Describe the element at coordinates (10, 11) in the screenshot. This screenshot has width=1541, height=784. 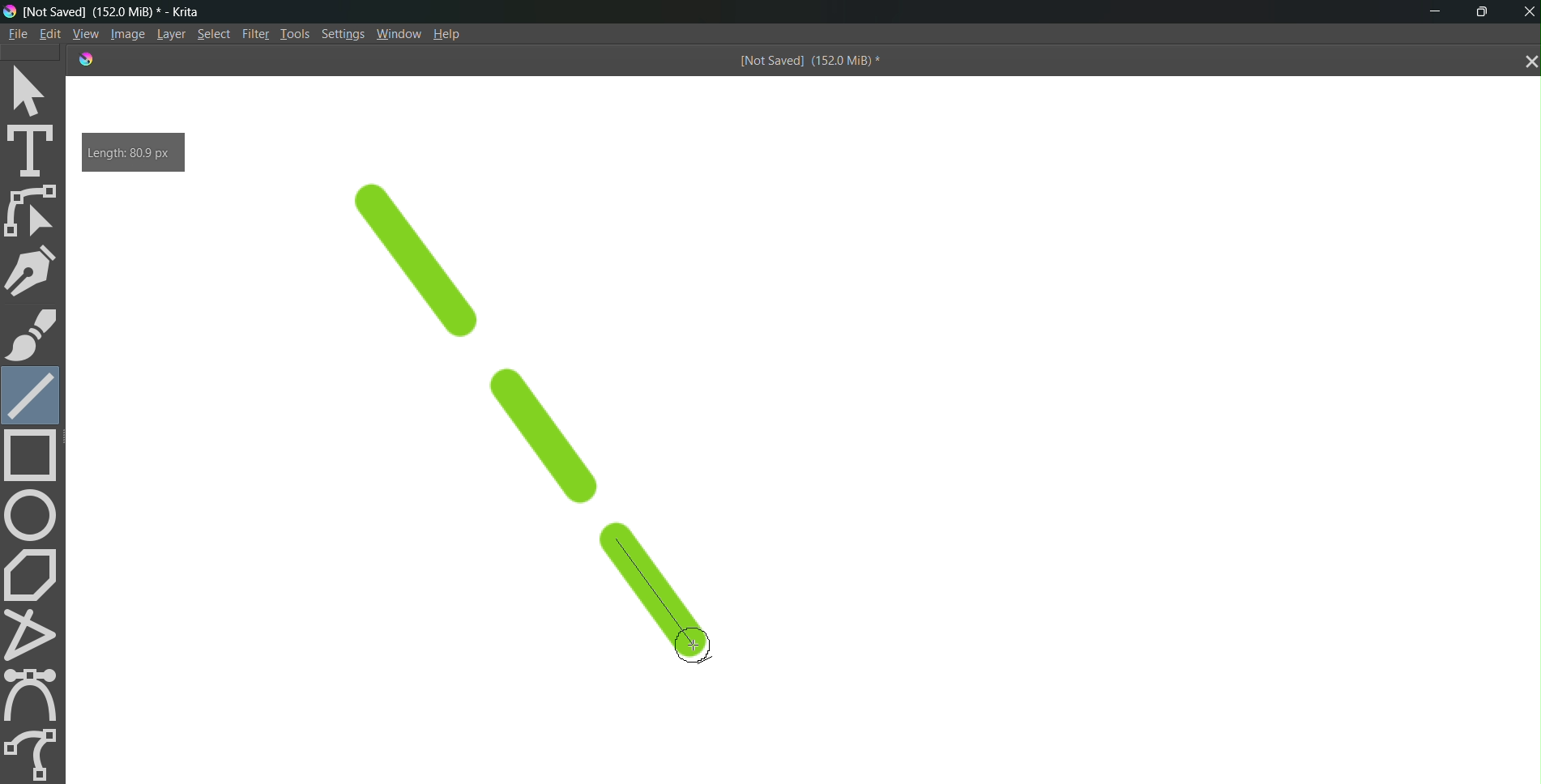
I see `logo` at that location.